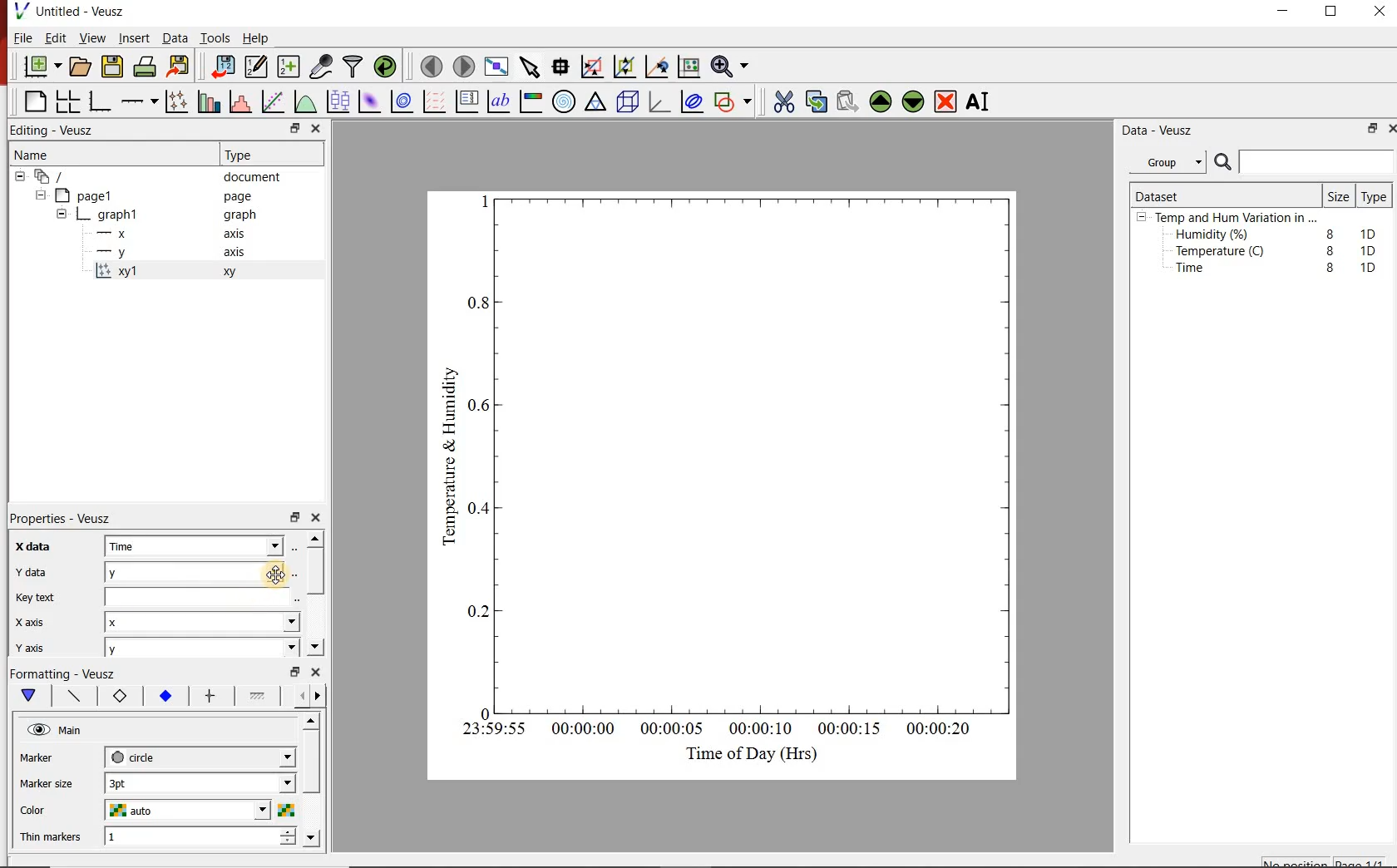  I want to click on 3pt, so click(137, 782).